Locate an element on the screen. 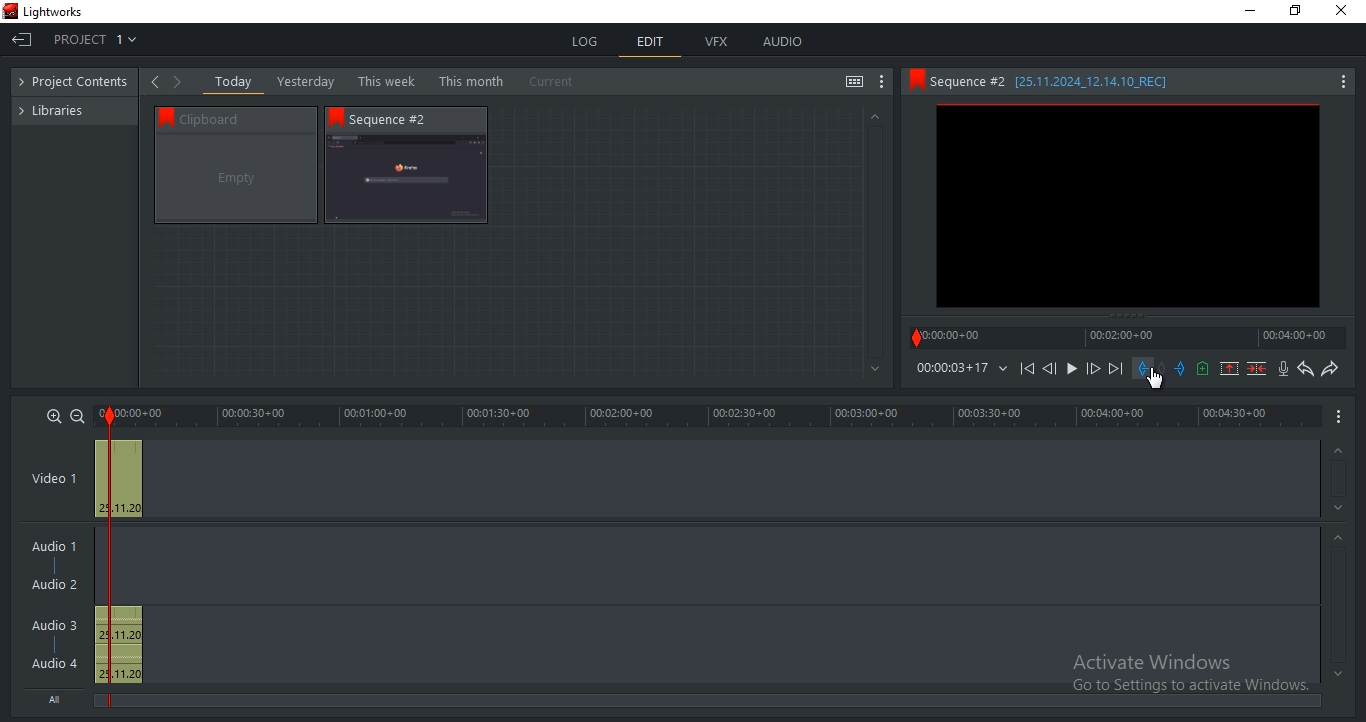  Move backward is located at coordinates (1030, 373).